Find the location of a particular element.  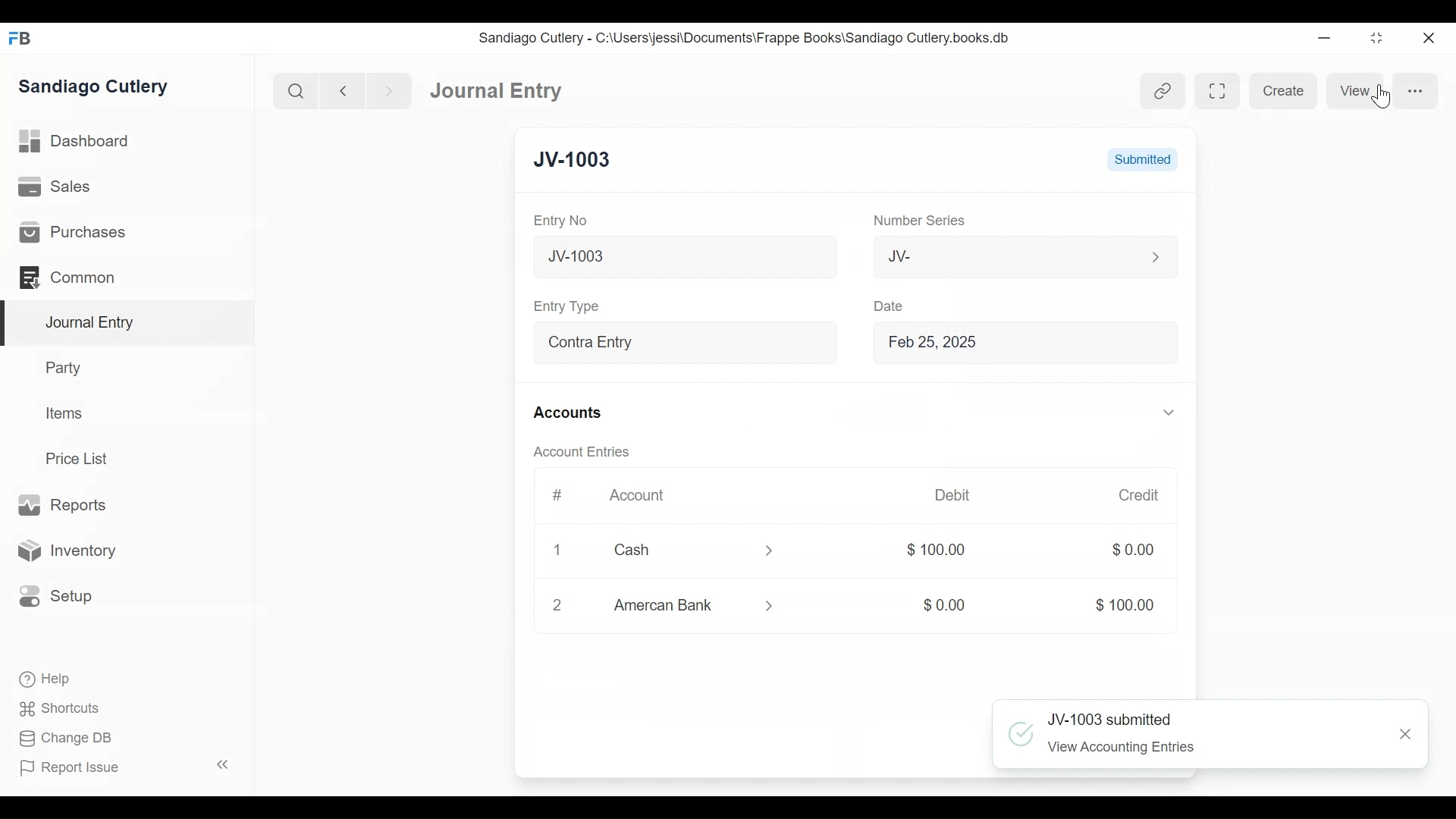

Navigate Forward is located at coordinates (390, 89).